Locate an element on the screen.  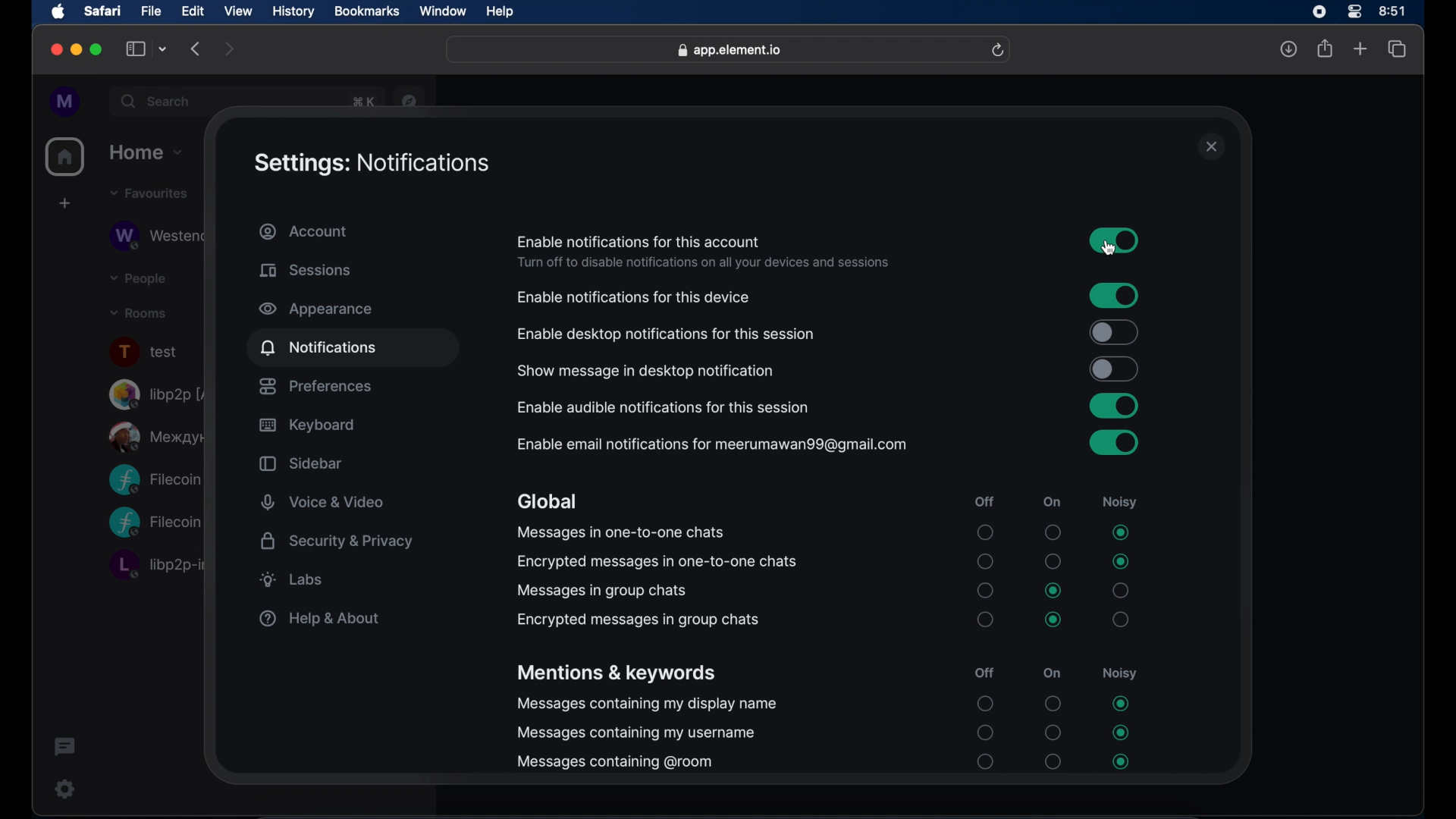
enable audible notifications for this  session is located at coordinates (664, 408).